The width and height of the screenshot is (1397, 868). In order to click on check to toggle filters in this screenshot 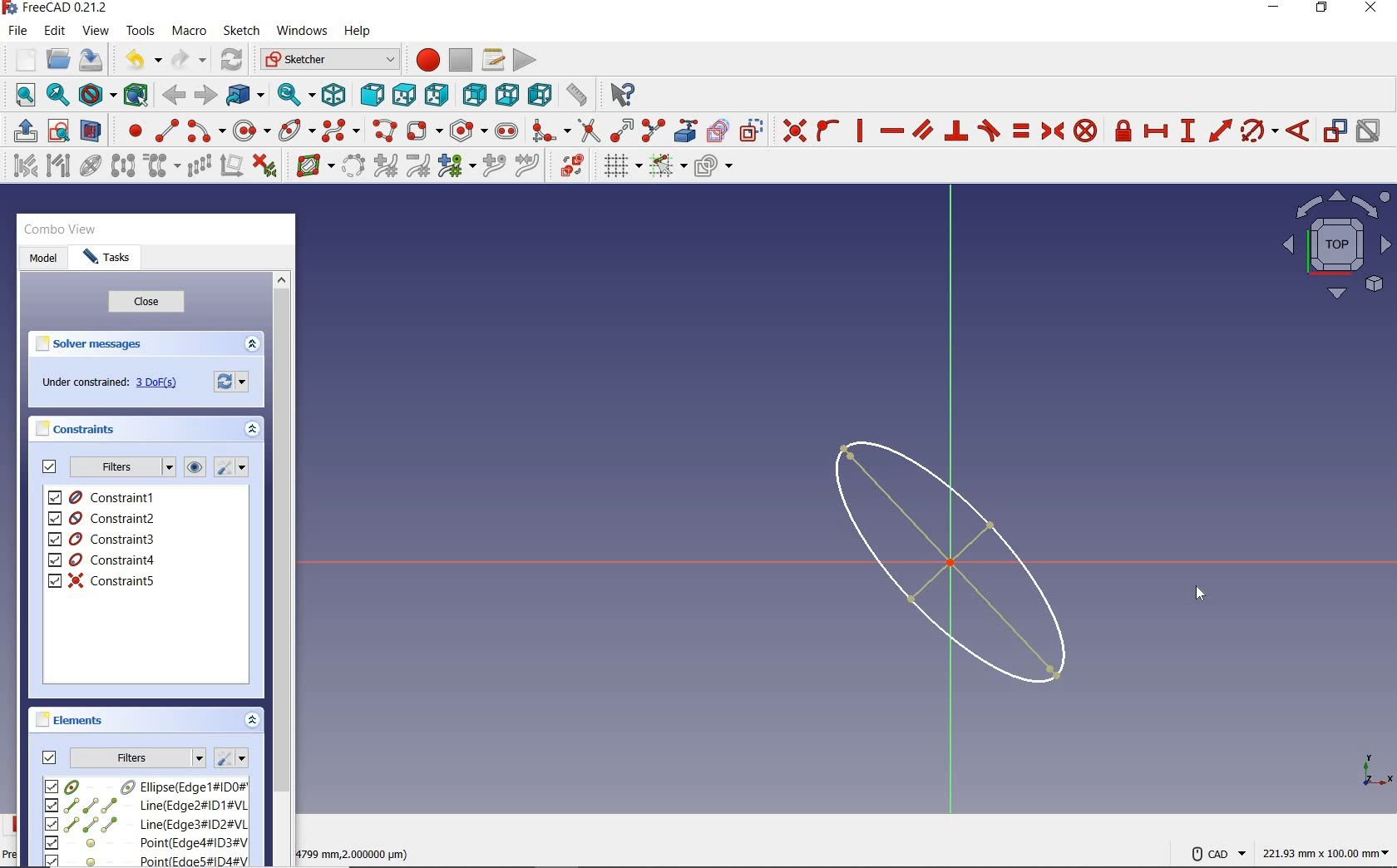, I will do `click(50, 757)`.